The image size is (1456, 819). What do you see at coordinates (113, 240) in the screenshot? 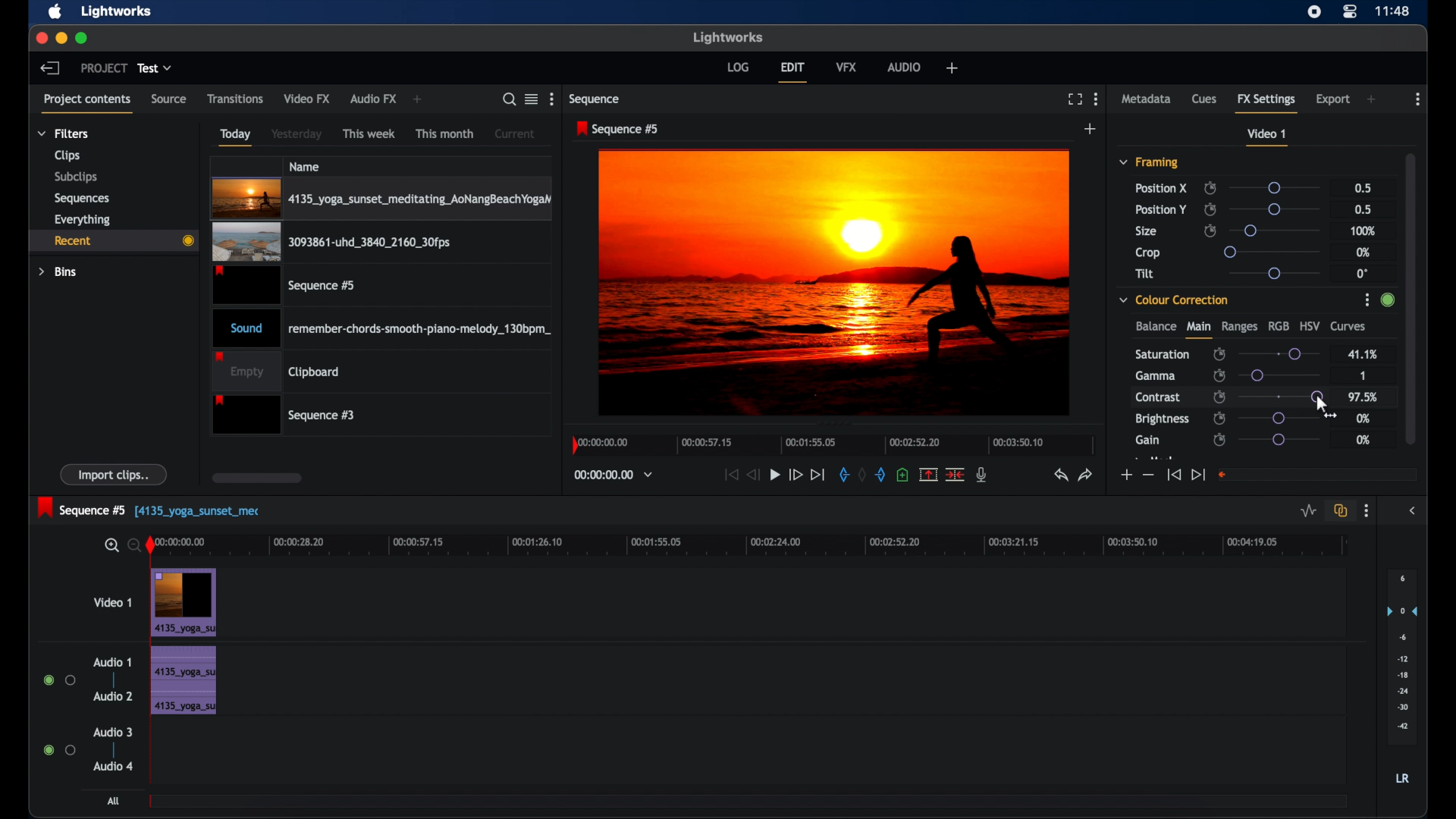
I see `recent` at bounding box center [113, 240].